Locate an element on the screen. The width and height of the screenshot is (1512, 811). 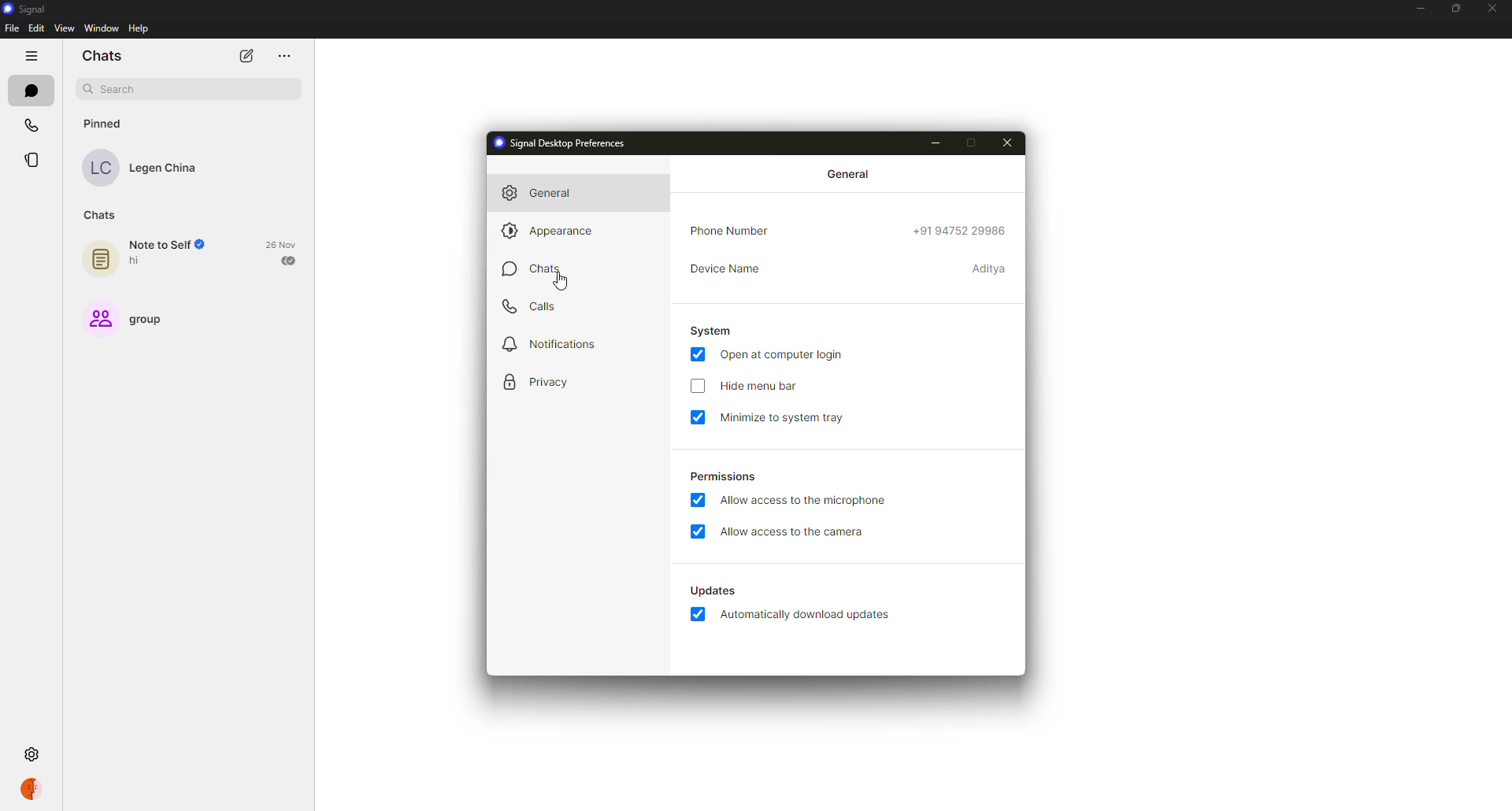
device name is located at coordinates (988, 268).